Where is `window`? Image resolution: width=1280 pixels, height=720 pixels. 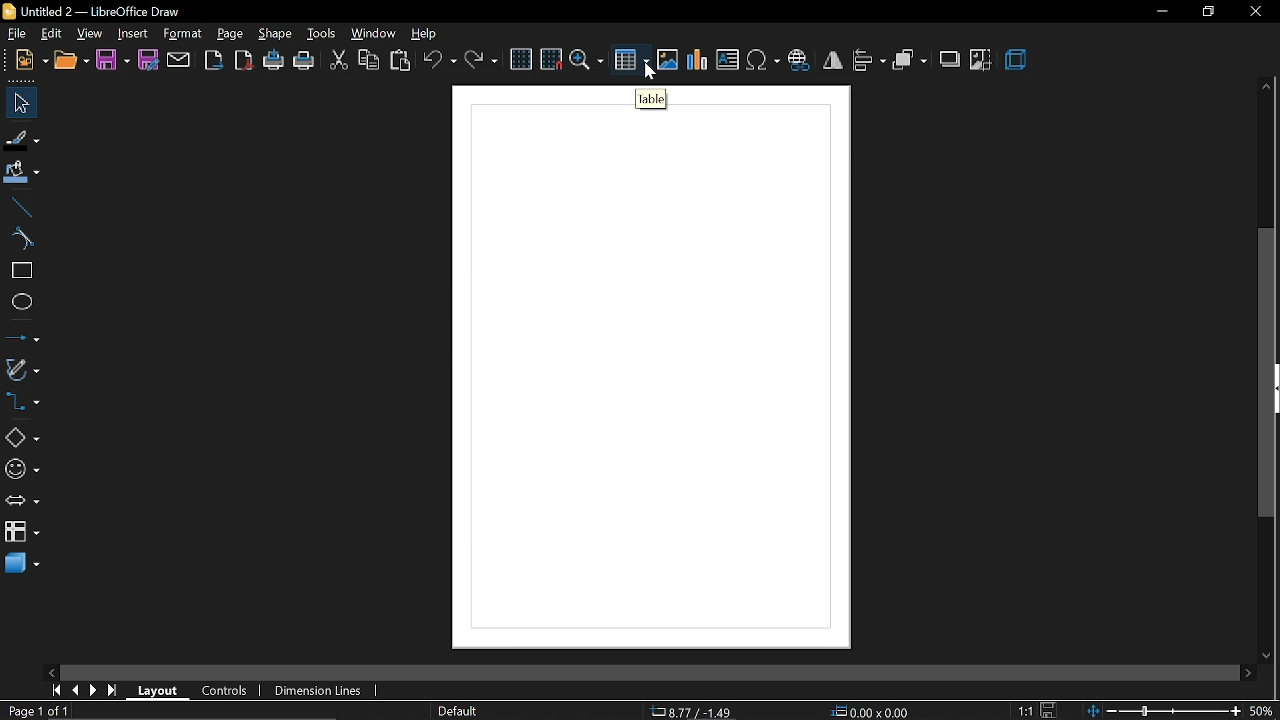
window is located at coordinates (375, 36).